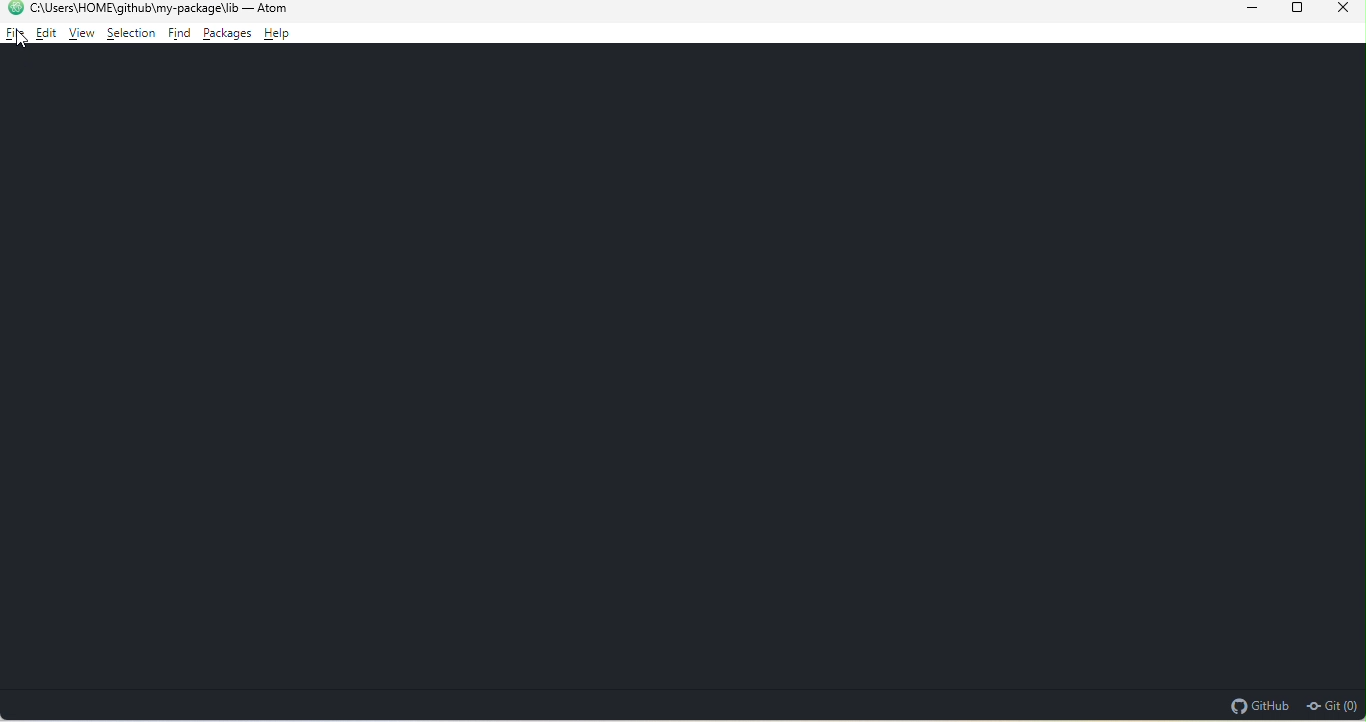 Image resolution: width=1366 pixels, height=722 pixels. What do you see at coordinates (134, 8) in the screenshot?
I see `directory path name` at bounding box center [134, 8].